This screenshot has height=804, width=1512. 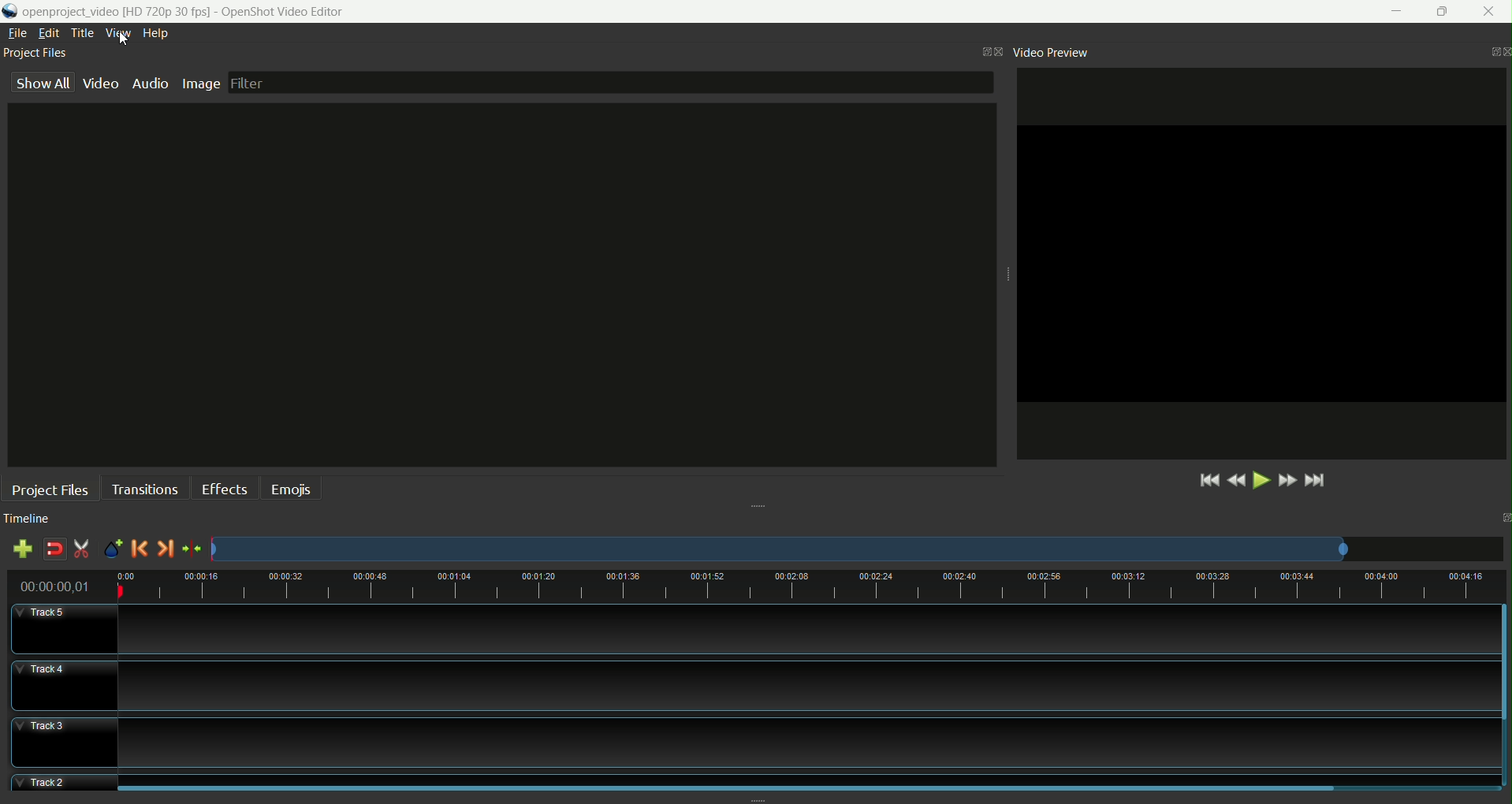 I want to click on transitions, so click(x=146, y=488).